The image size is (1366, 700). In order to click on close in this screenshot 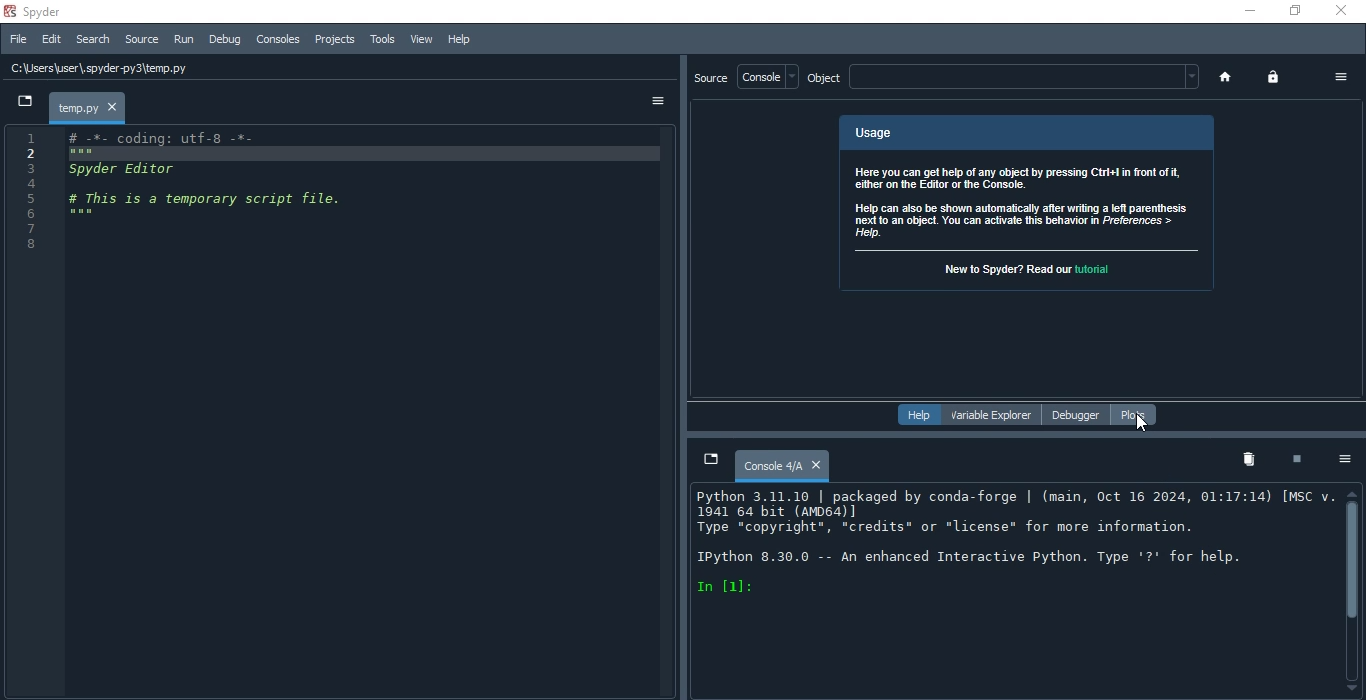, I will do `click(1343, 10)`.